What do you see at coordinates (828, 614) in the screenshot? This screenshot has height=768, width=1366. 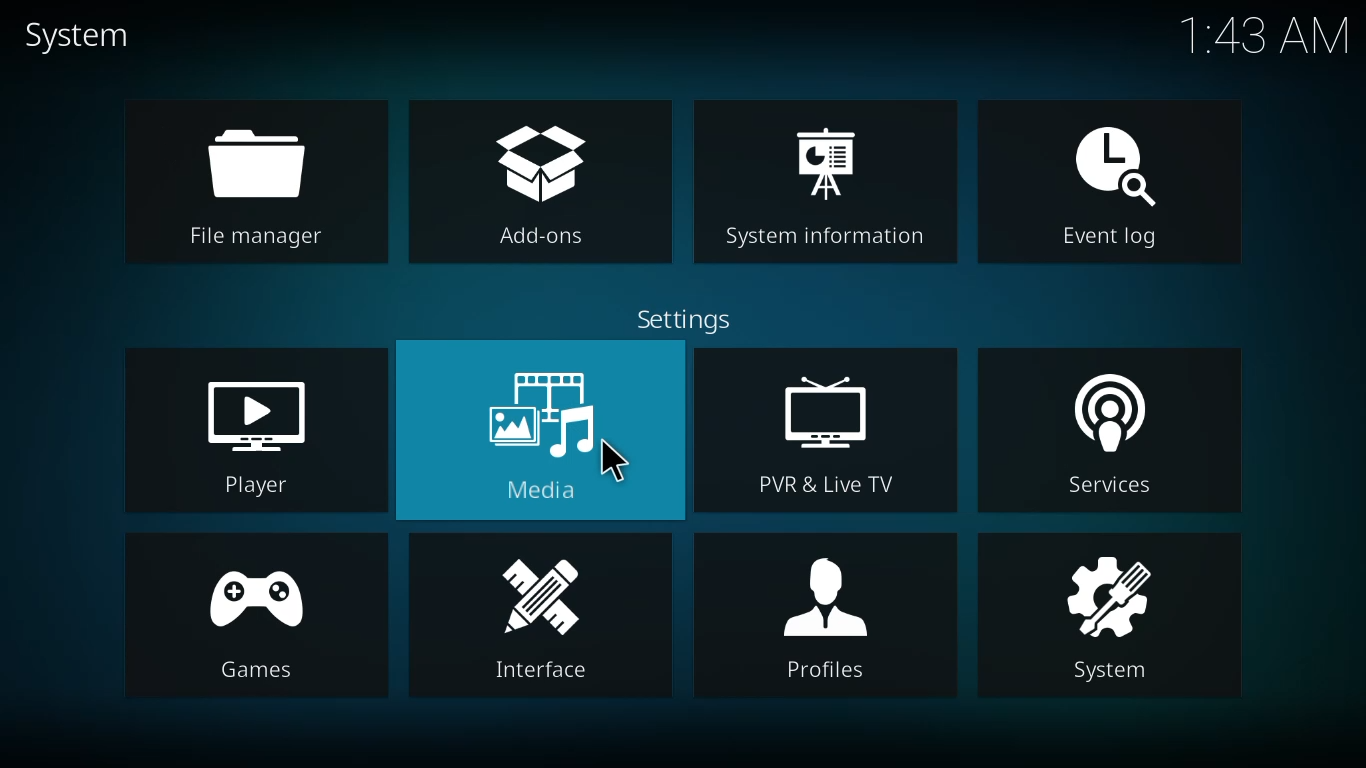 I see `profiles` at bounding box center [828, 614].